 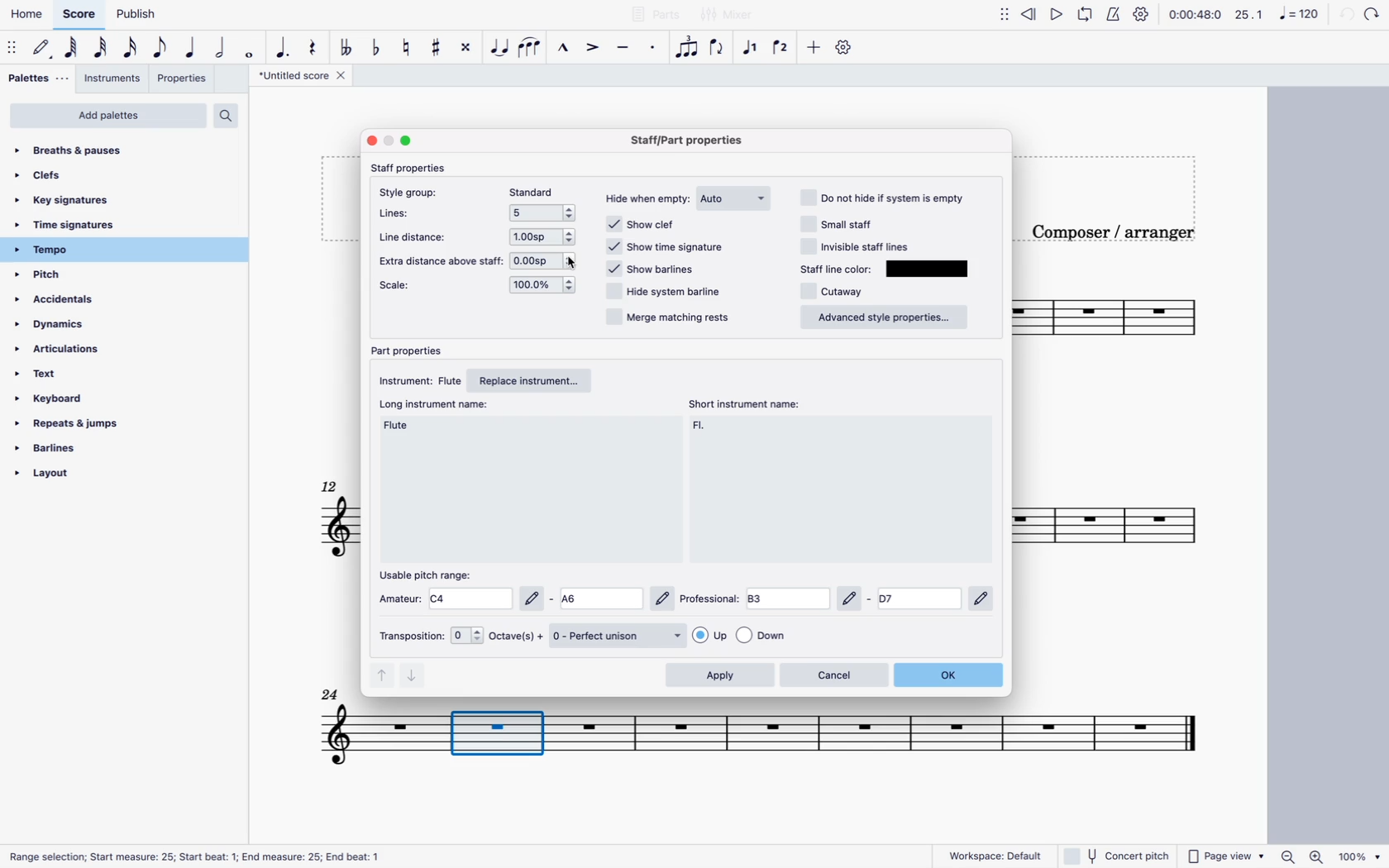 What do you see at coordinates (882, 197) in the screenshot?
I see `do not hide` at bounding box center [882, 197].